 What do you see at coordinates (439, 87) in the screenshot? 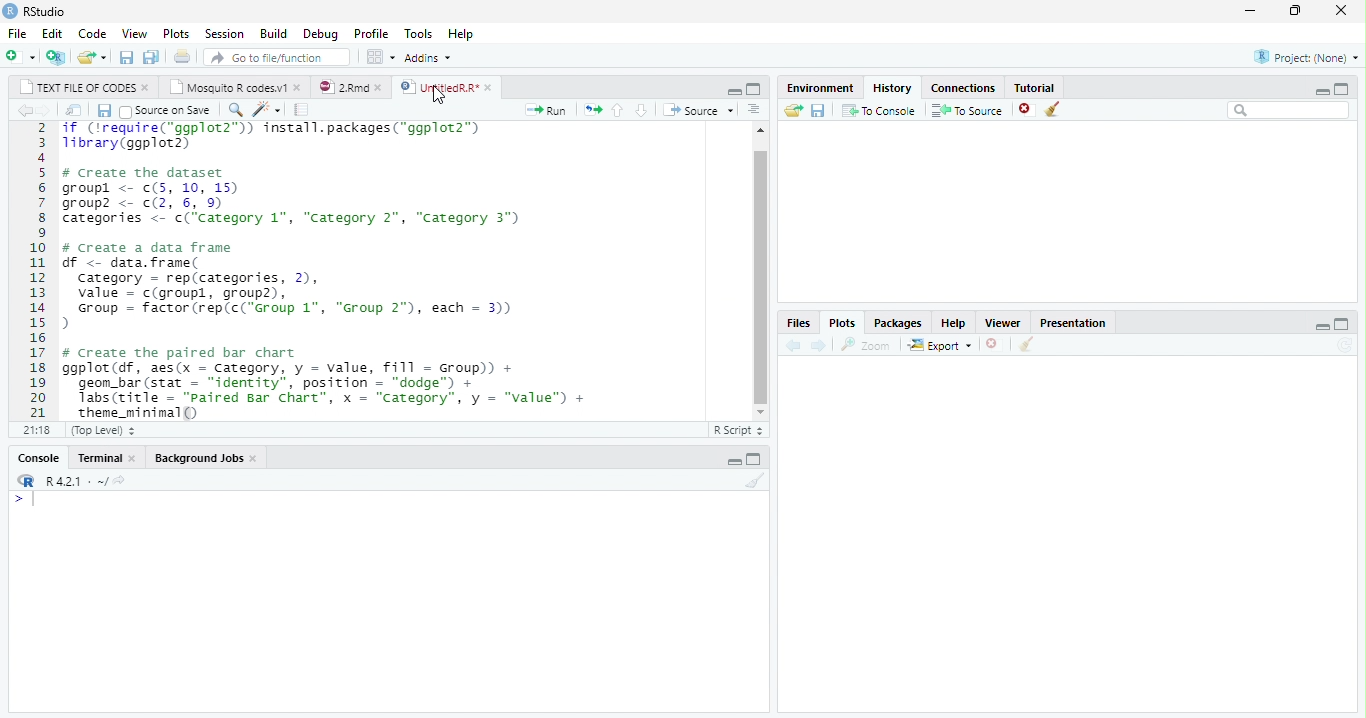
I see `UntitledR.R*` at bounding box center [439, 87].